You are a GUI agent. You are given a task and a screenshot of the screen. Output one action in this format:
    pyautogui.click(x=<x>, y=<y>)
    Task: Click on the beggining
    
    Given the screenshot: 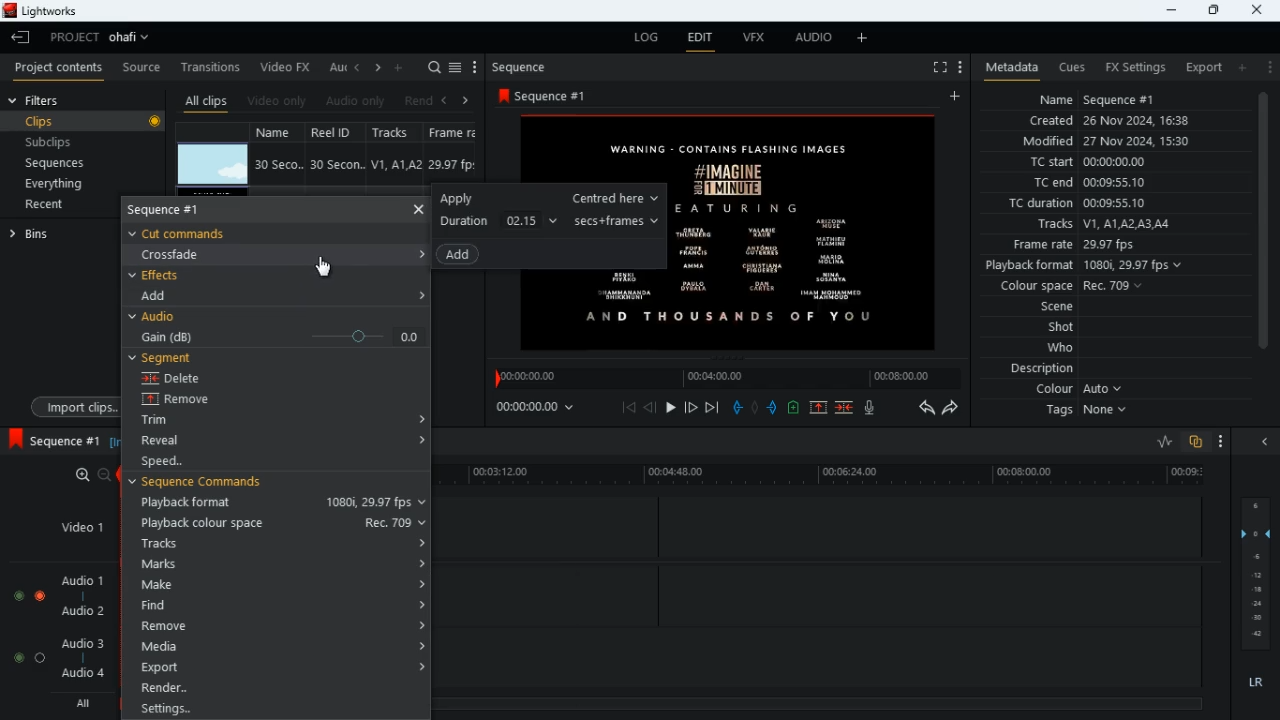 What is the action you would take?
    pyautogui.click(x=629, y=407)
    